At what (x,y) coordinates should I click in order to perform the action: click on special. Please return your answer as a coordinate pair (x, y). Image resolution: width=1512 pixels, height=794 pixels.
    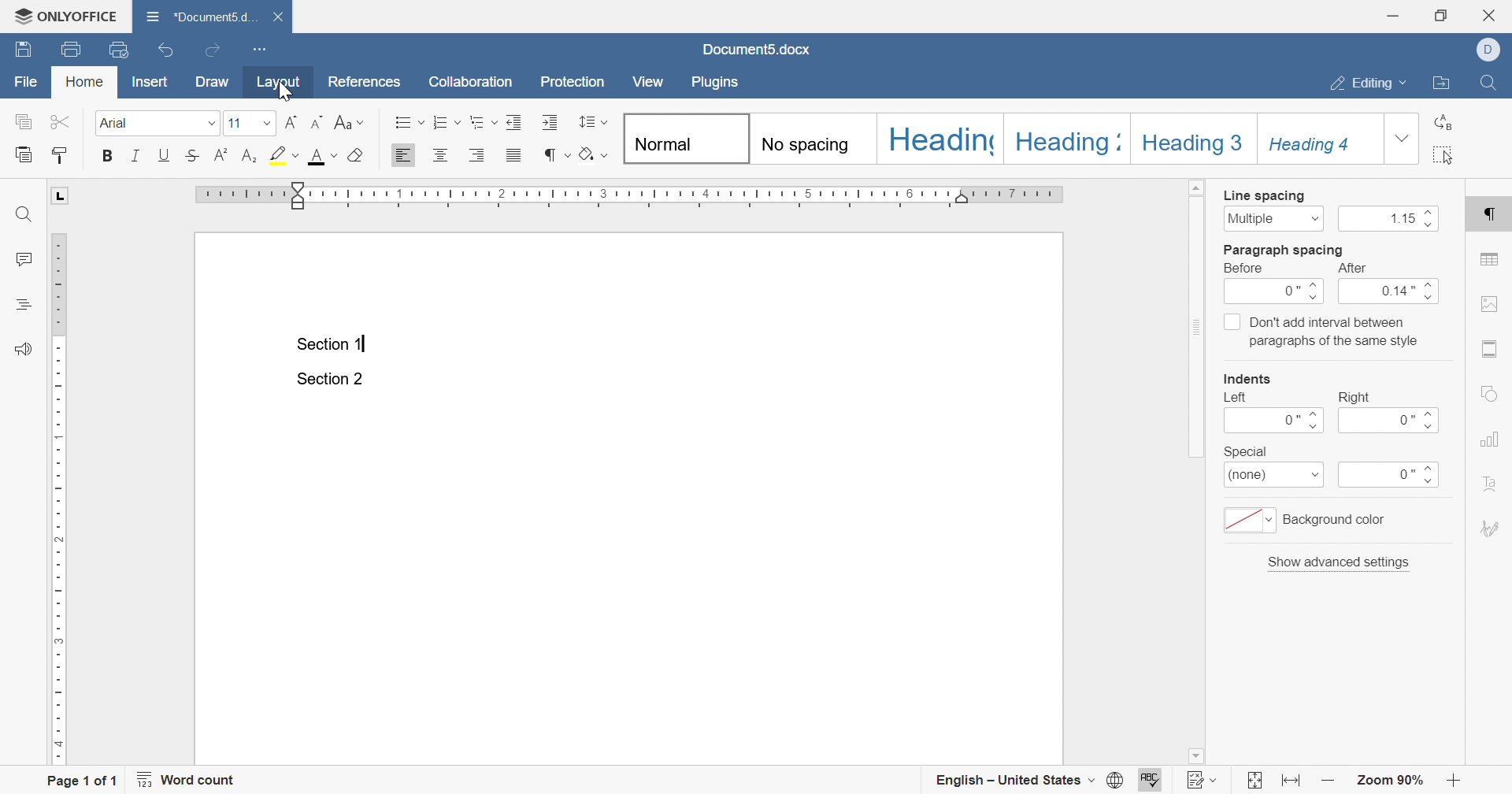
    Looking at the image, I should click on (1245, 451).